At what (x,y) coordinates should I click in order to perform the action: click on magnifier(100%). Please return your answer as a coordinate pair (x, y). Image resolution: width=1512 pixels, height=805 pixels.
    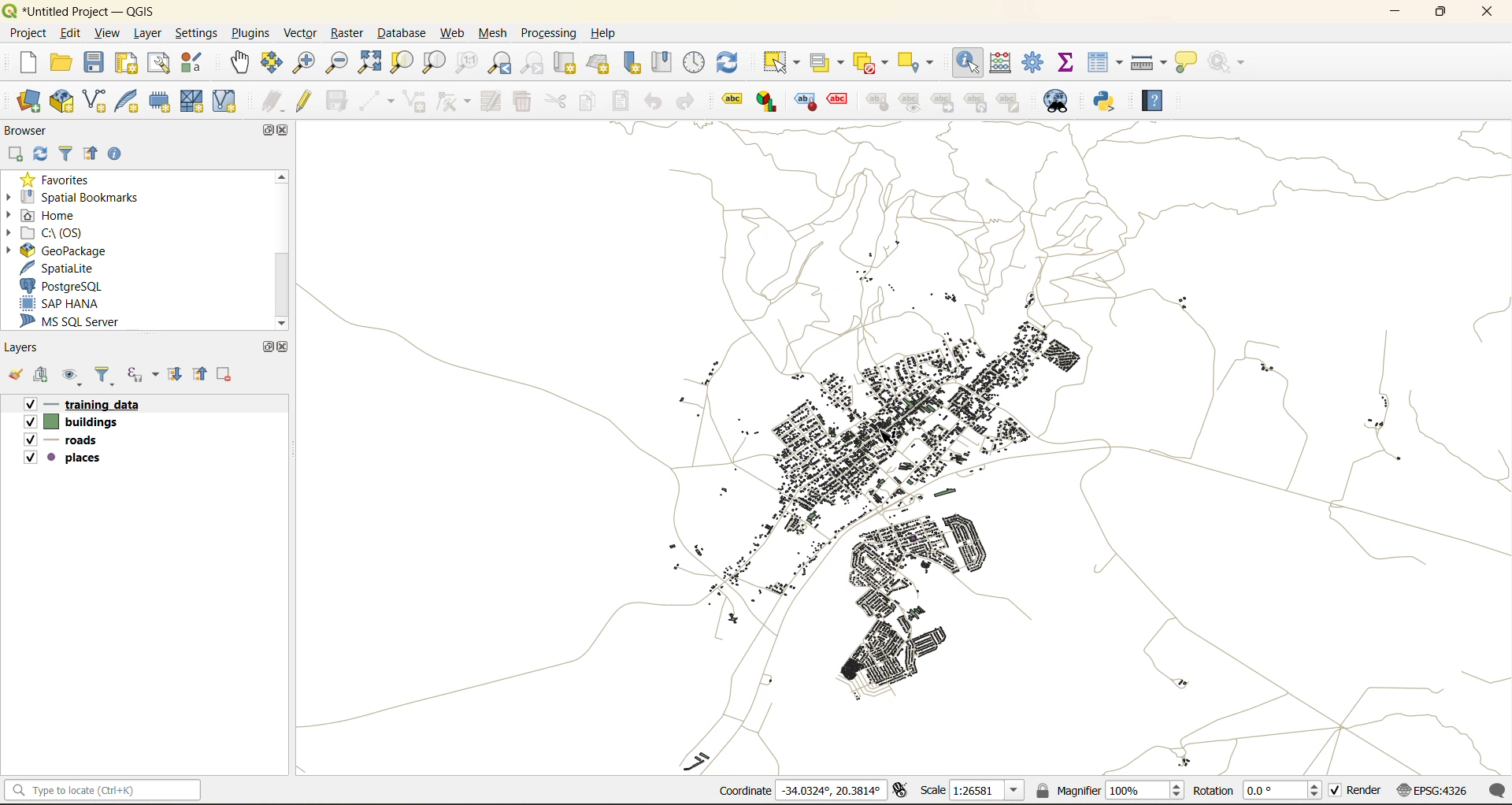
    Looking at the image, I should click on (1106, 790).